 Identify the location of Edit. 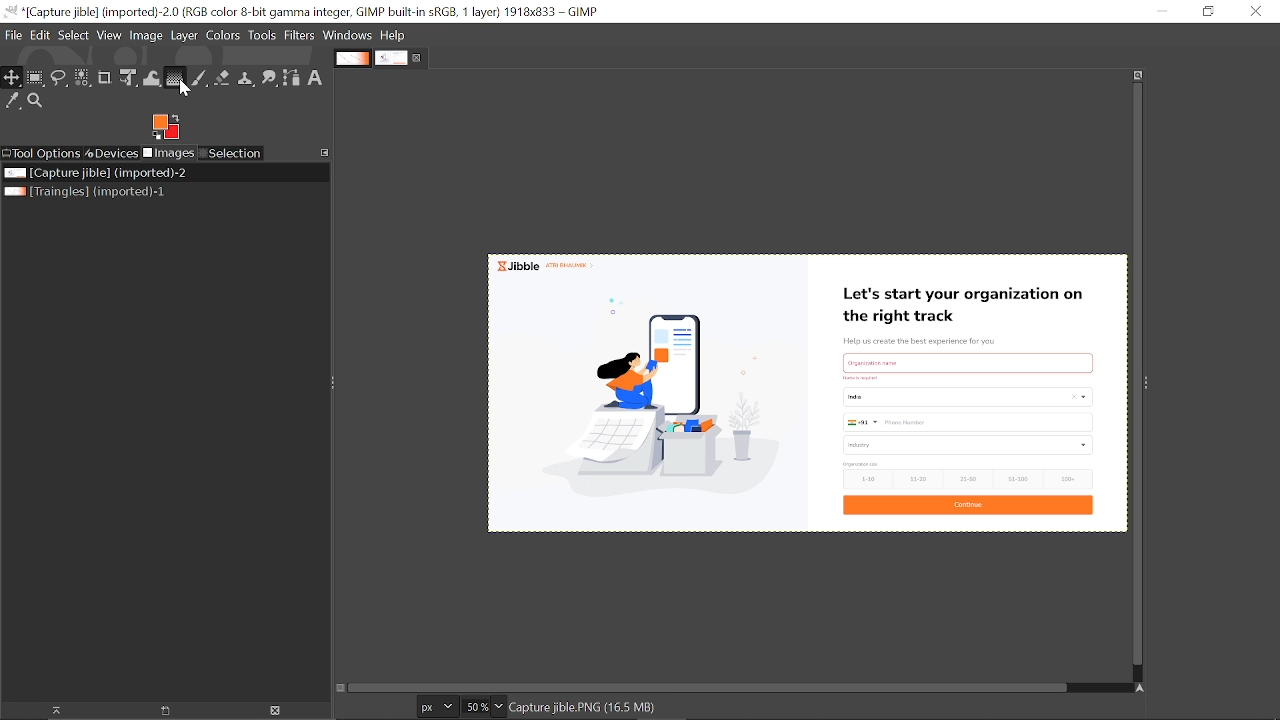
(39, 35).